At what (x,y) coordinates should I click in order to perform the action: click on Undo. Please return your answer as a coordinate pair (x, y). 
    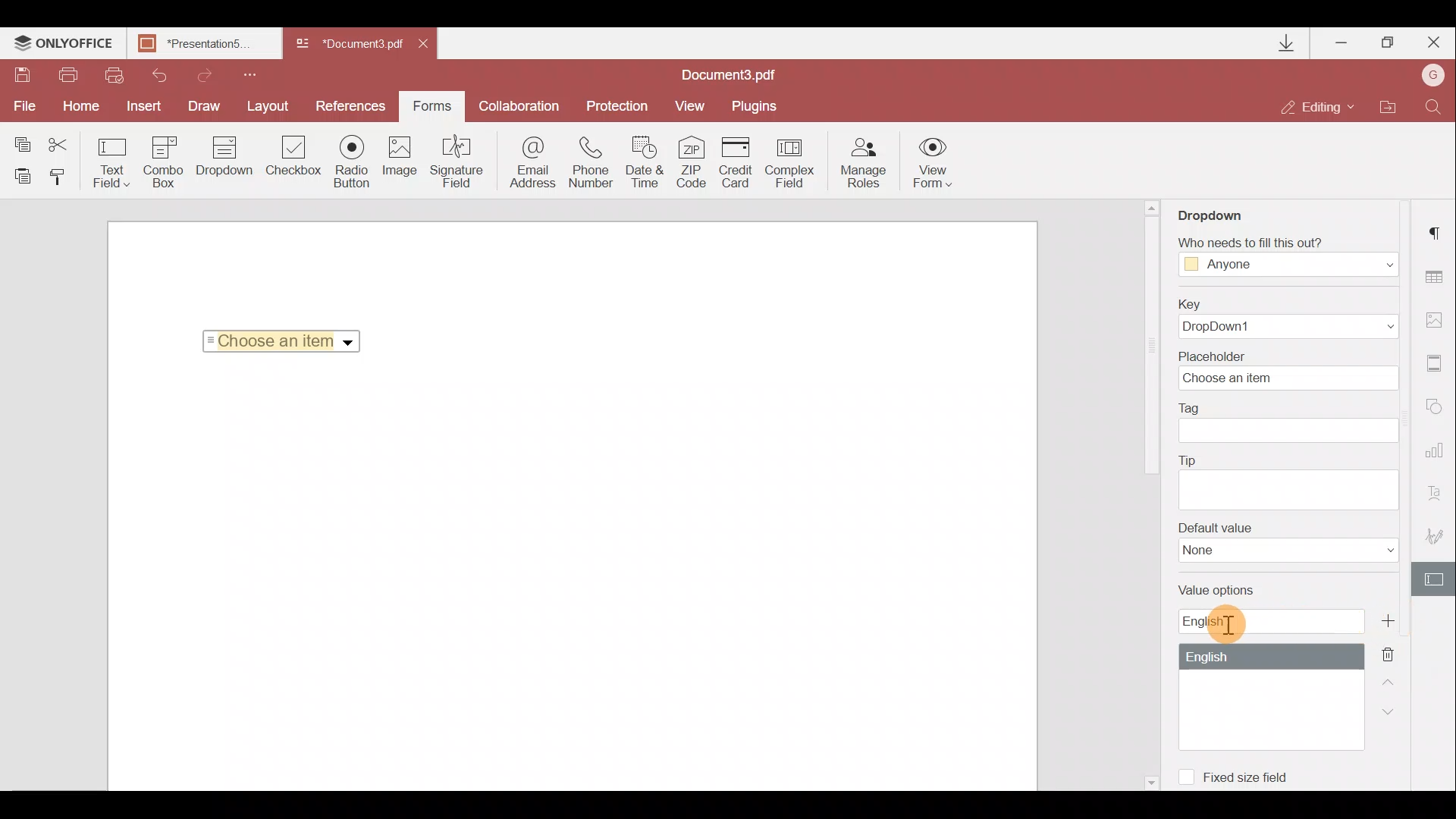
    Looking at the image, I should click on (153, 73).